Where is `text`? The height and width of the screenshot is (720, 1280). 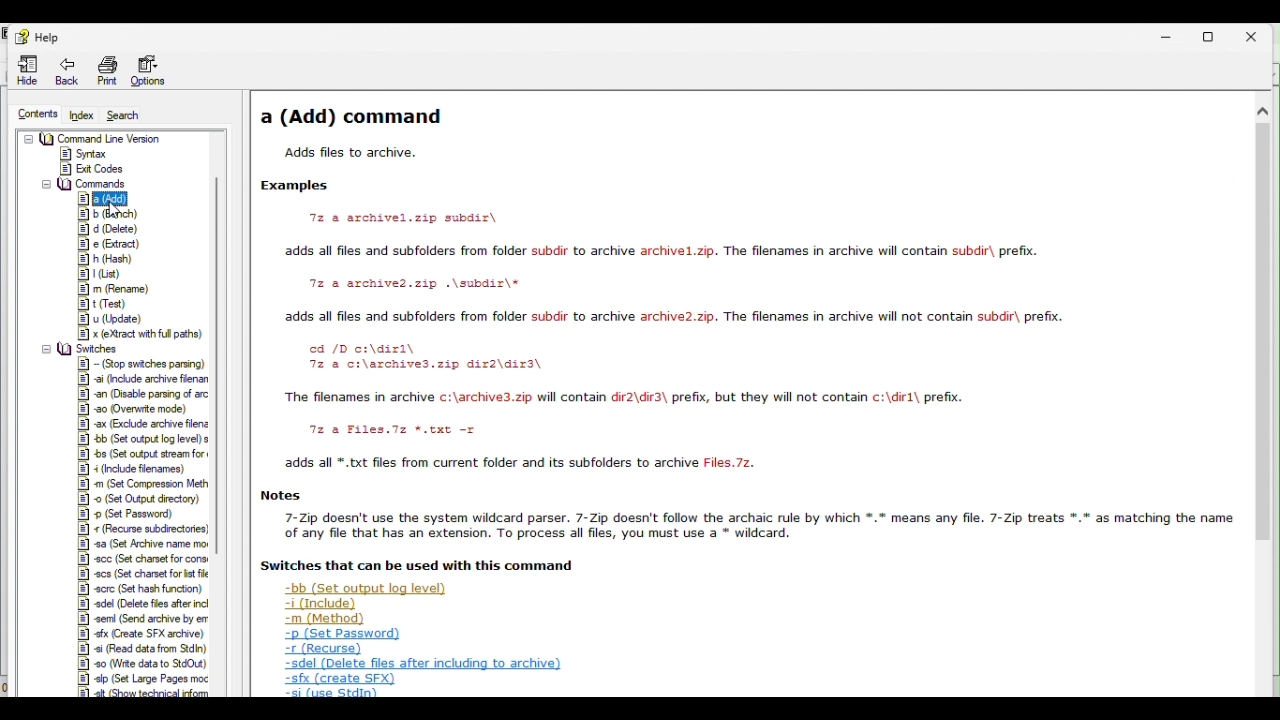 text is located at coordinates (672, 317).